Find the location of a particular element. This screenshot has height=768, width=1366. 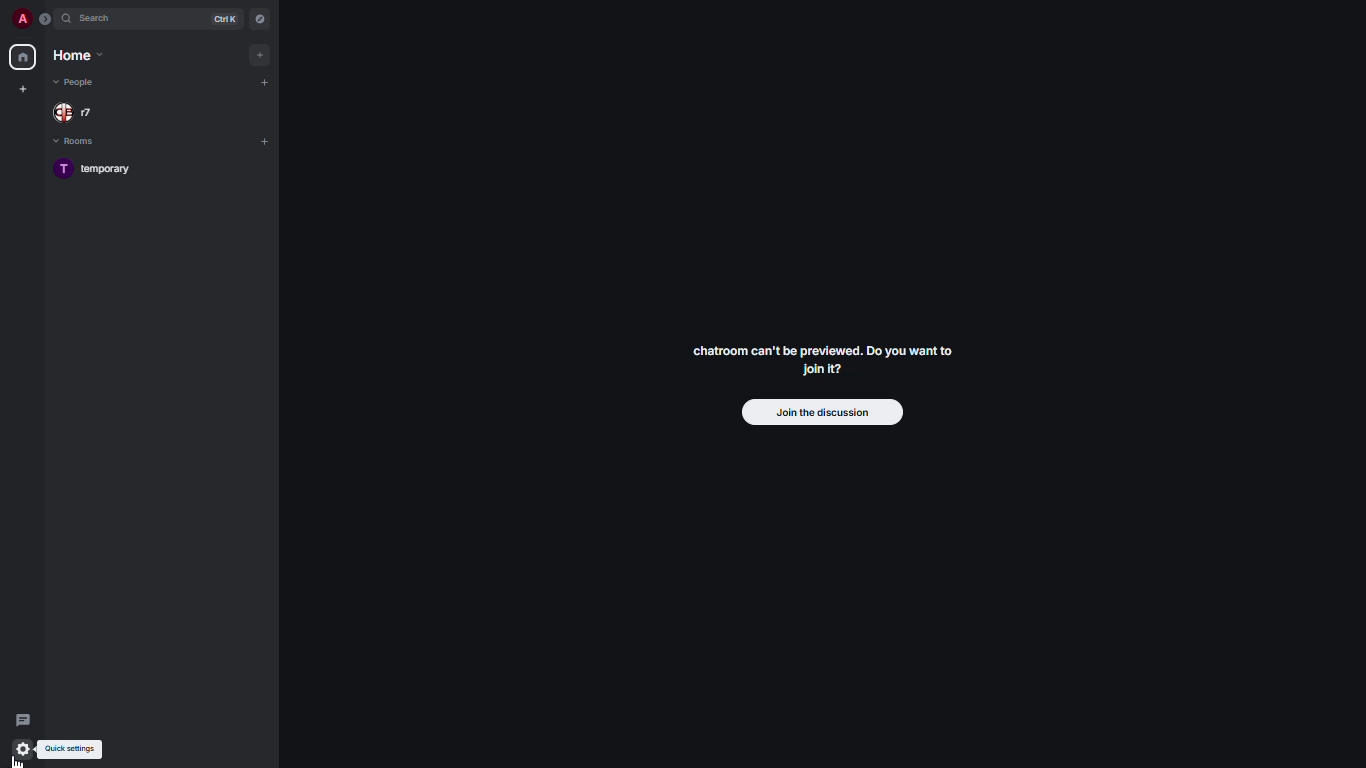

expand is located at coordinates (45, 18).